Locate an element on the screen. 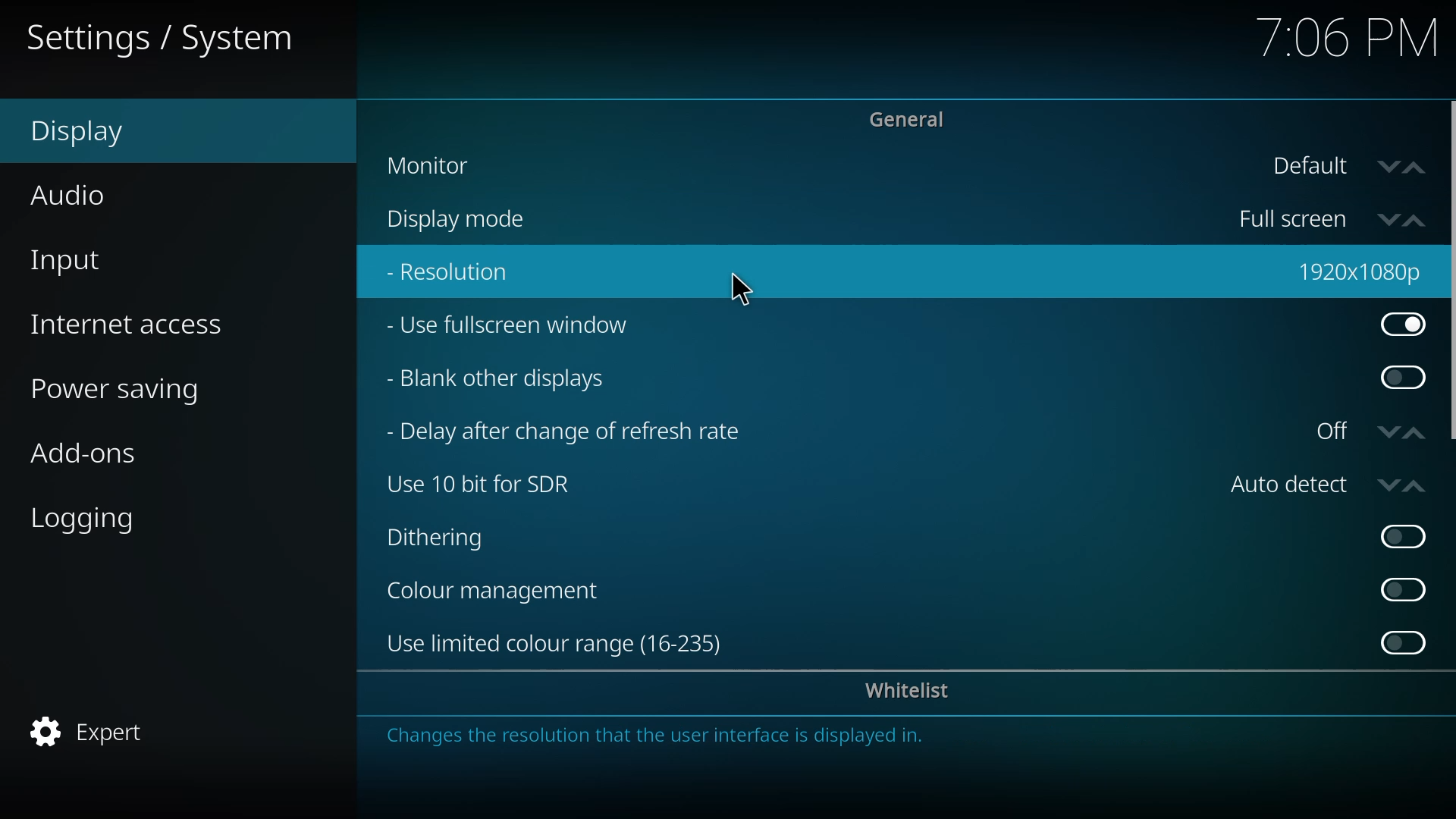 The width and height of the screenshot is (1456, 819). add-ons is located at coordinates (91, 452).